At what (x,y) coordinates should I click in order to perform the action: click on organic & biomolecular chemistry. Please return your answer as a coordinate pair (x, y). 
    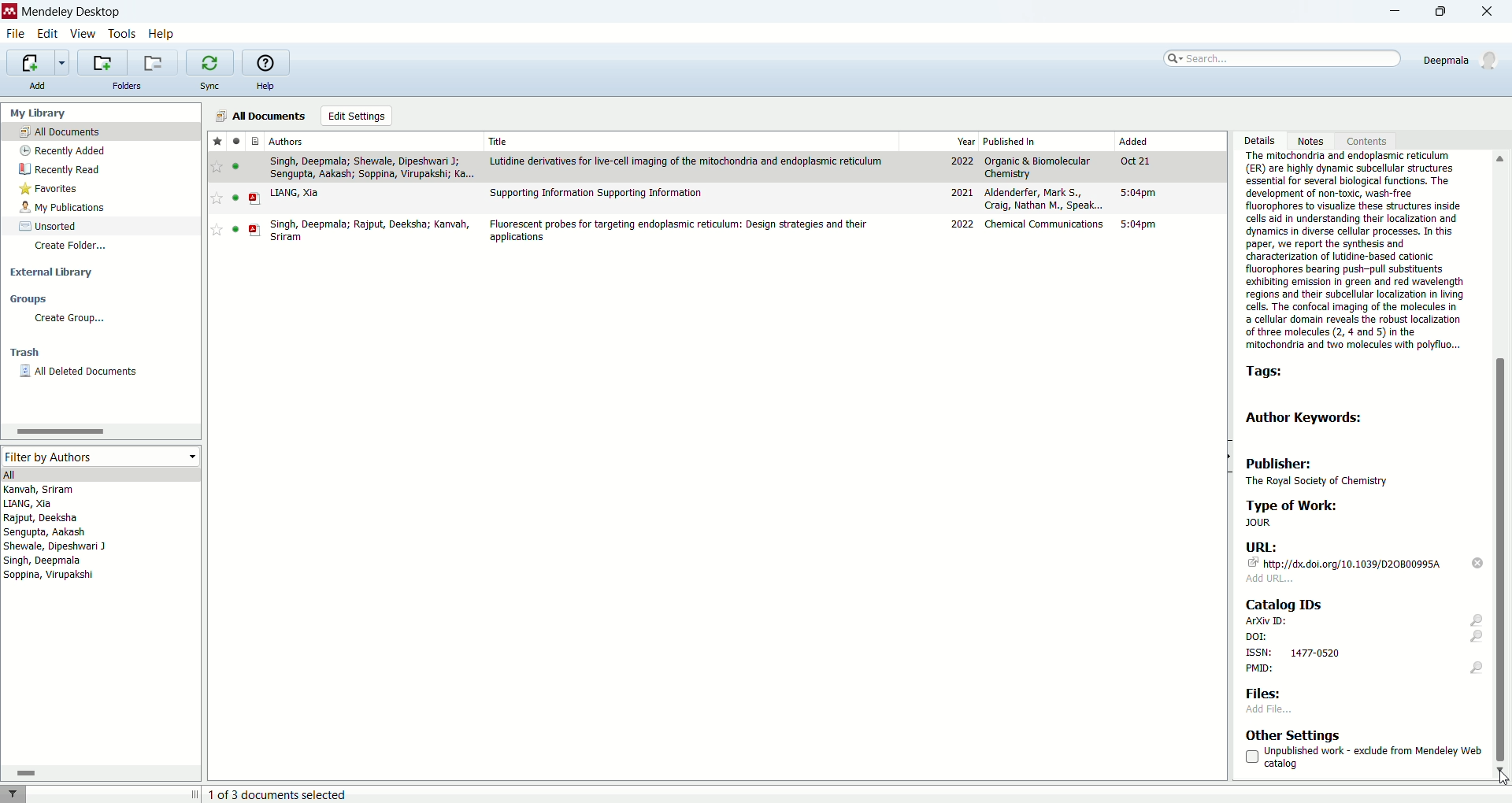
    Looking at the image, I should click on (1037, 168).